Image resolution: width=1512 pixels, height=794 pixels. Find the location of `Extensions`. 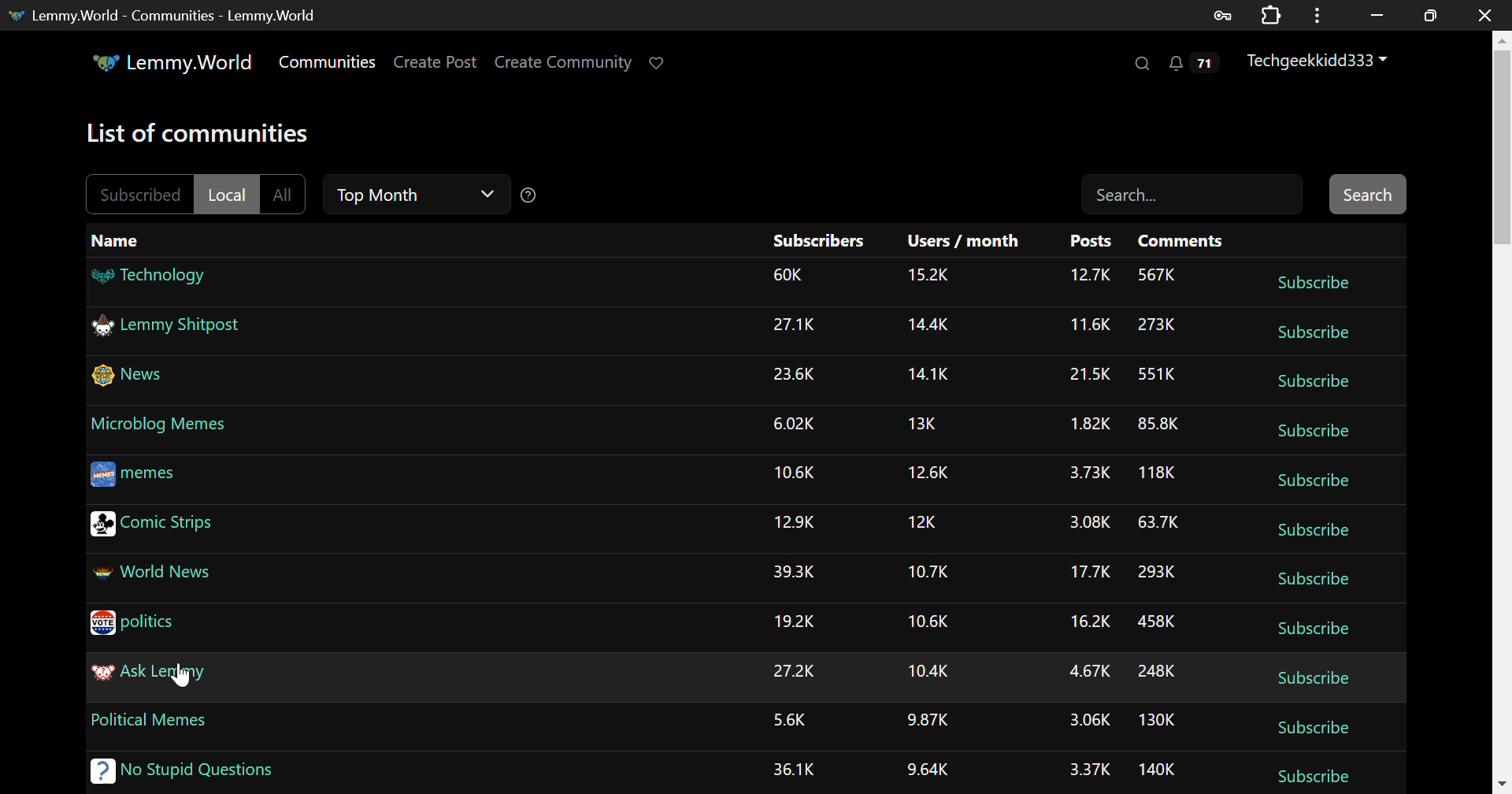

Extensions is located at coordinates (1271, 13).